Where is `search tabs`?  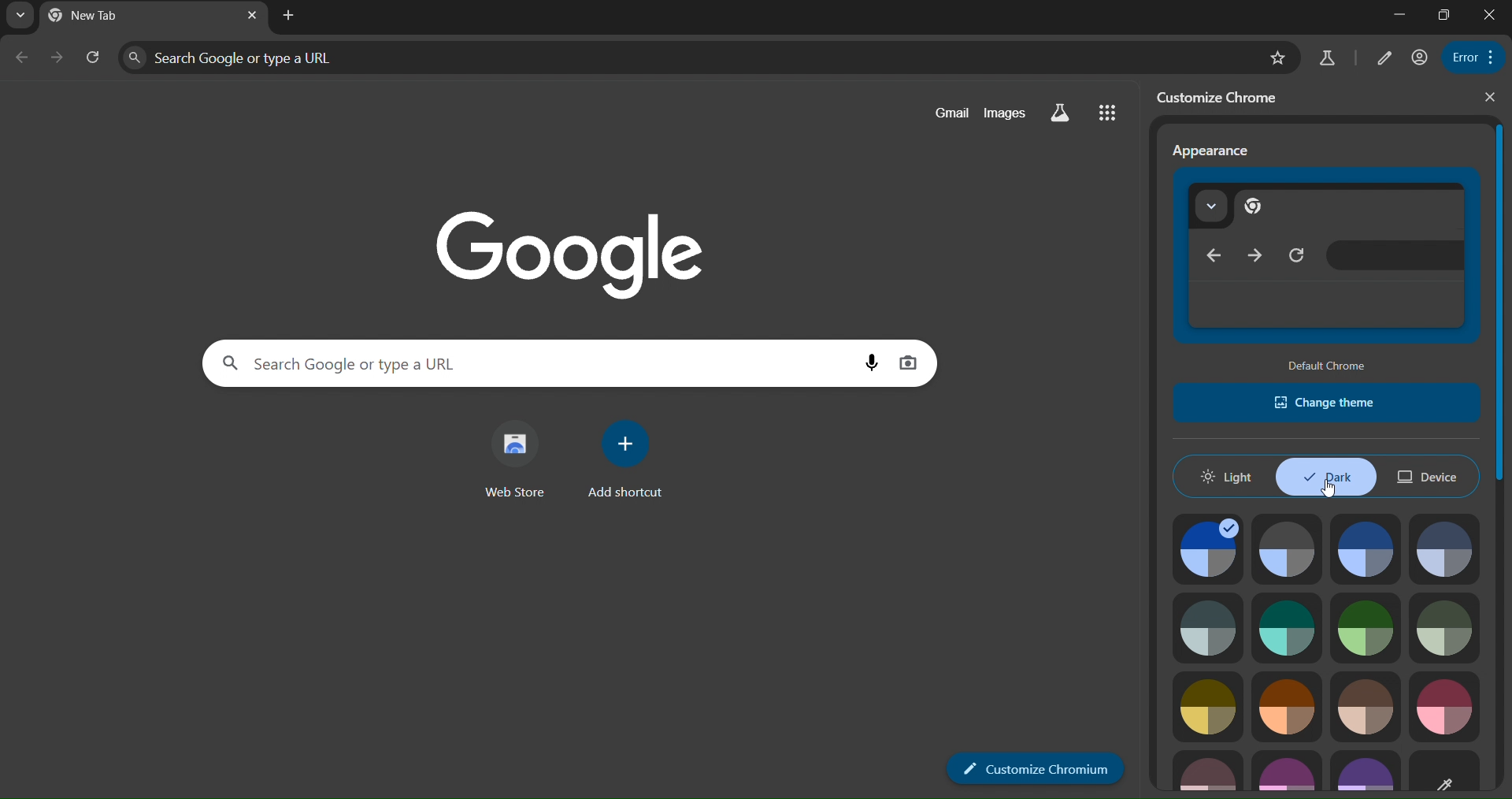
search tabs is located at coordinates (20, 17).